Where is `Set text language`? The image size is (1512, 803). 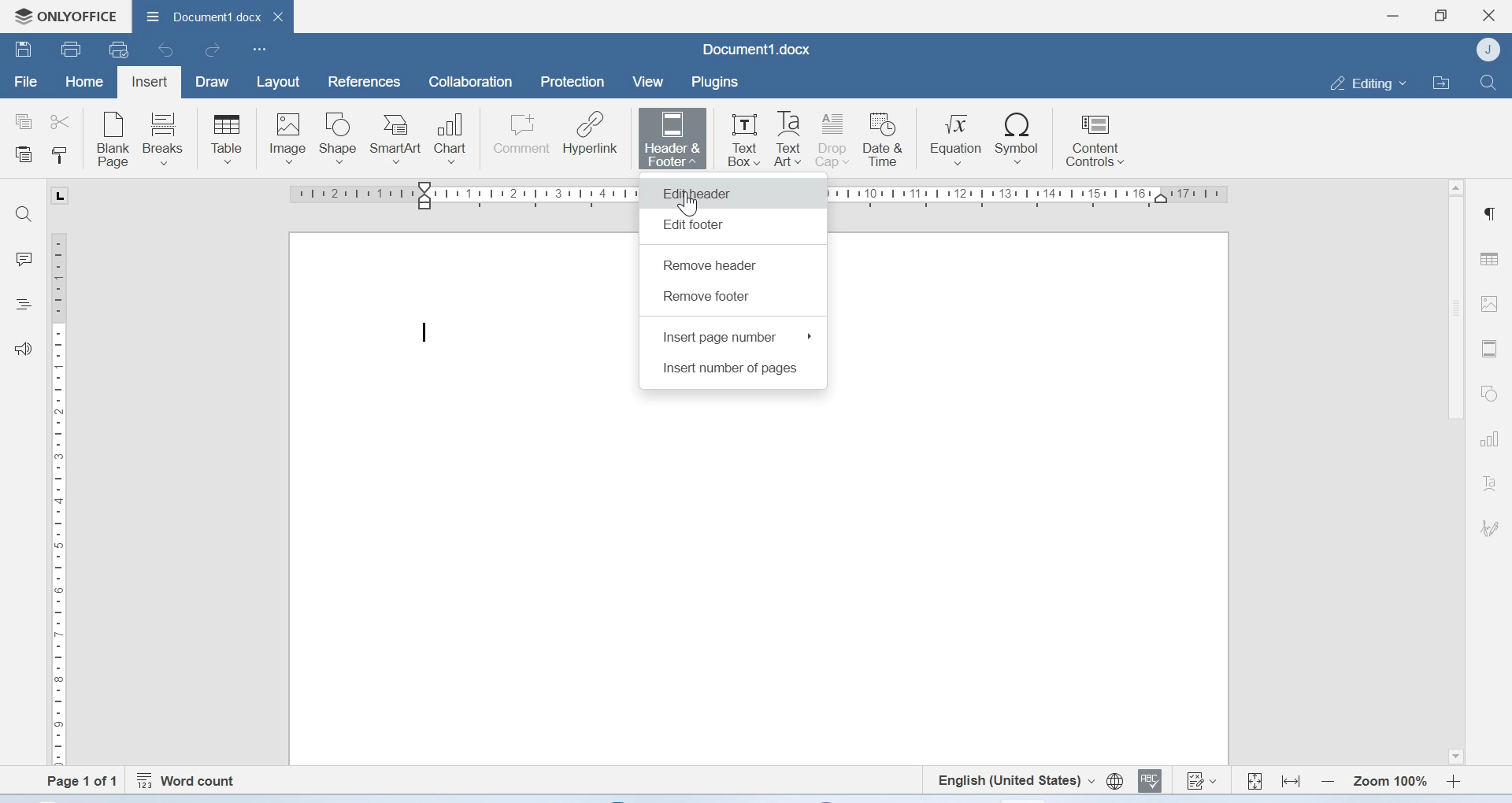
Set text language is located at coordinates (1016, 780).